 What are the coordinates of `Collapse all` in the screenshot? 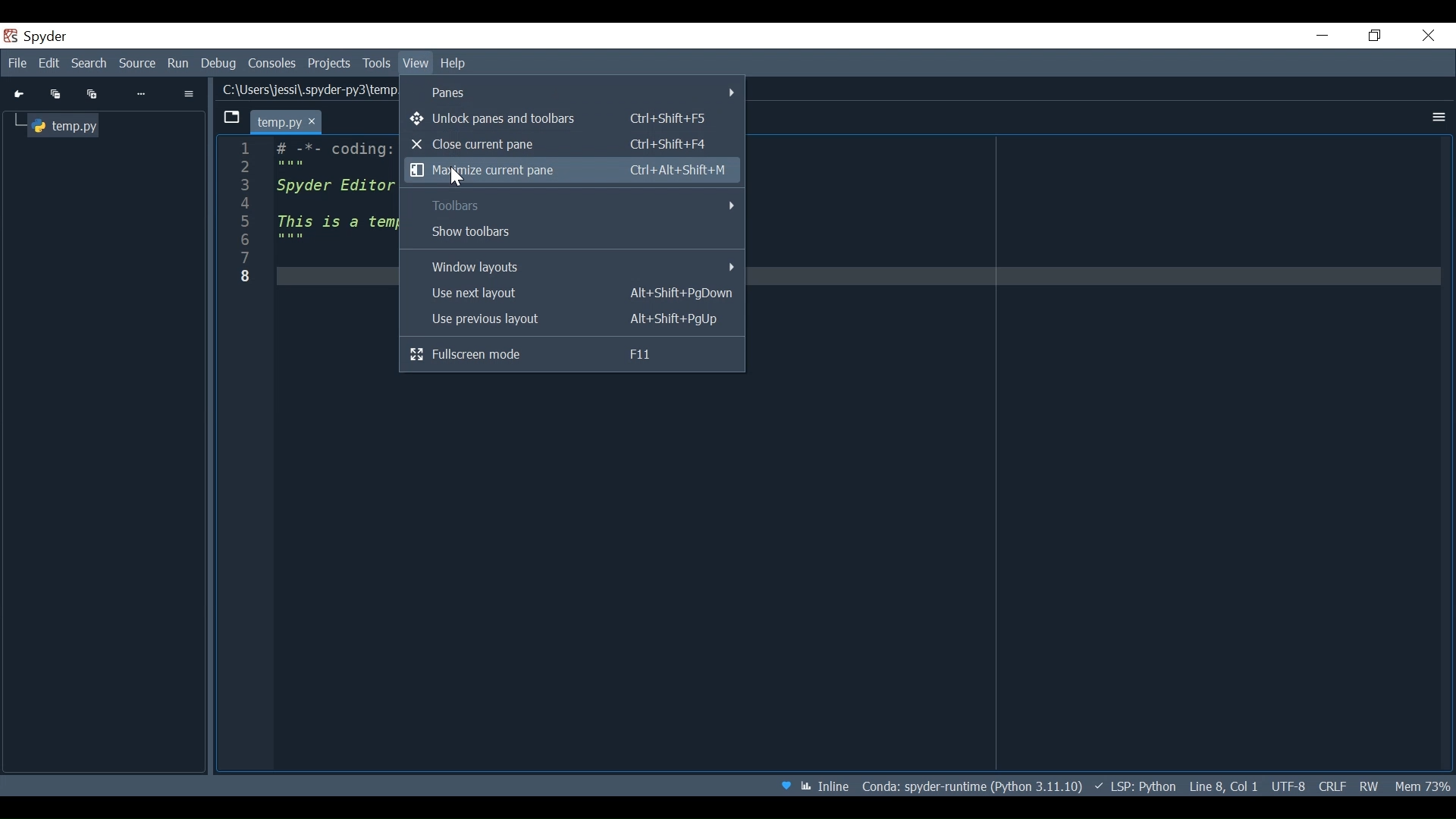 It's located at (52, 93).